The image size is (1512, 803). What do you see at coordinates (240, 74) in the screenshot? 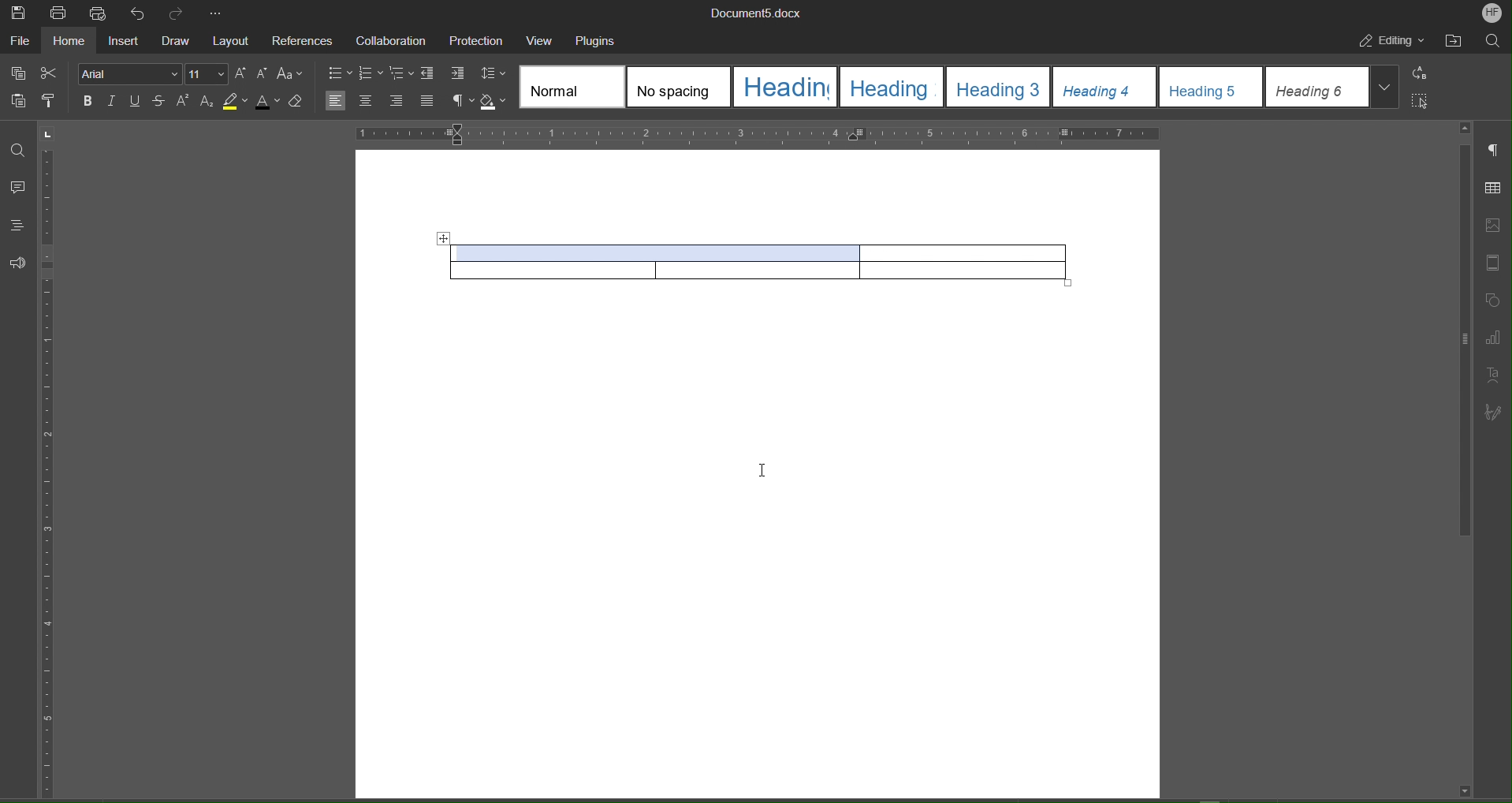
I see `Increase Size` at bounding box center [240, 74].